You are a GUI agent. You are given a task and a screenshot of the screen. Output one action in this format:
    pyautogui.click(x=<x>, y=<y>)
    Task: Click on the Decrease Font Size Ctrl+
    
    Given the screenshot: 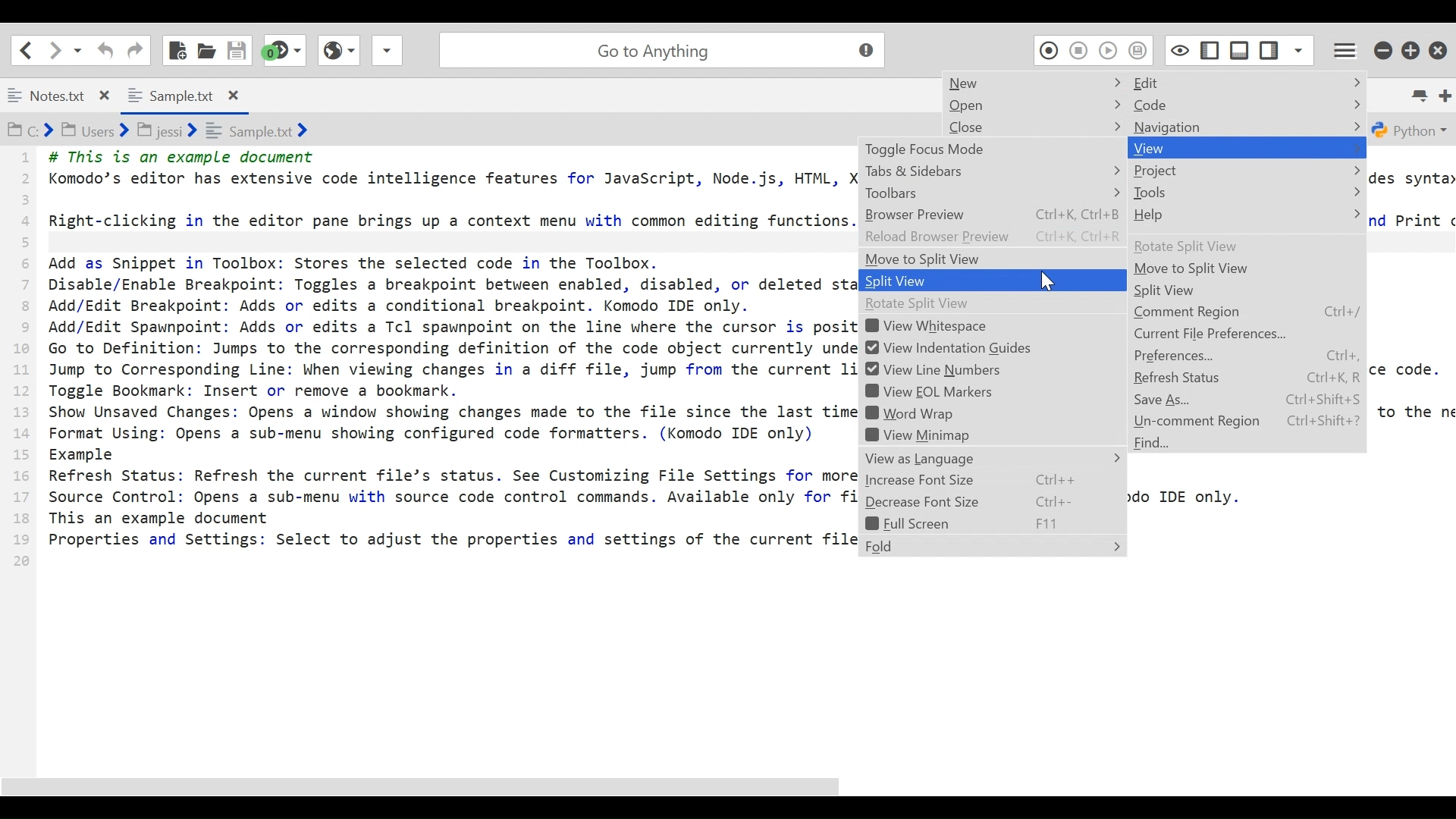 What is the action you would take?
    pyautogui.click(x=991, y=501)
    